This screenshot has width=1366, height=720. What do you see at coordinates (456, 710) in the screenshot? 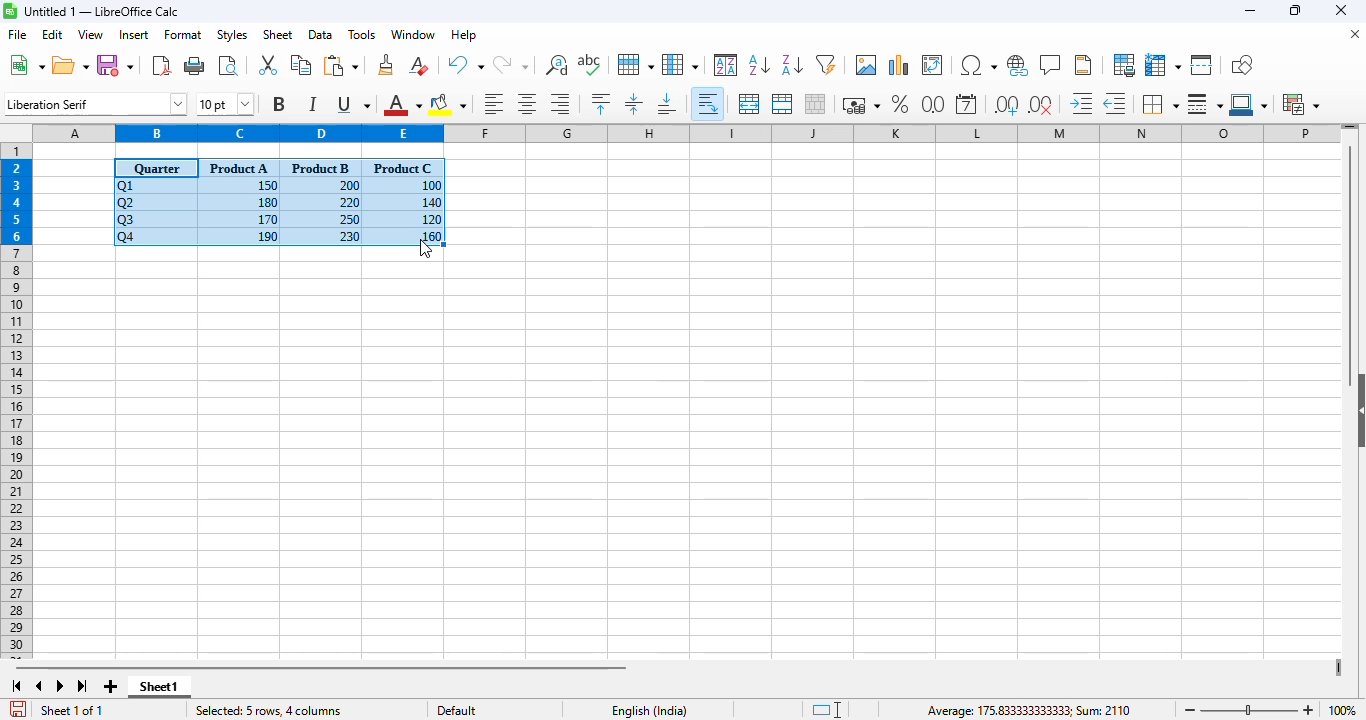
I see `default` at bounding box center [456, 710].